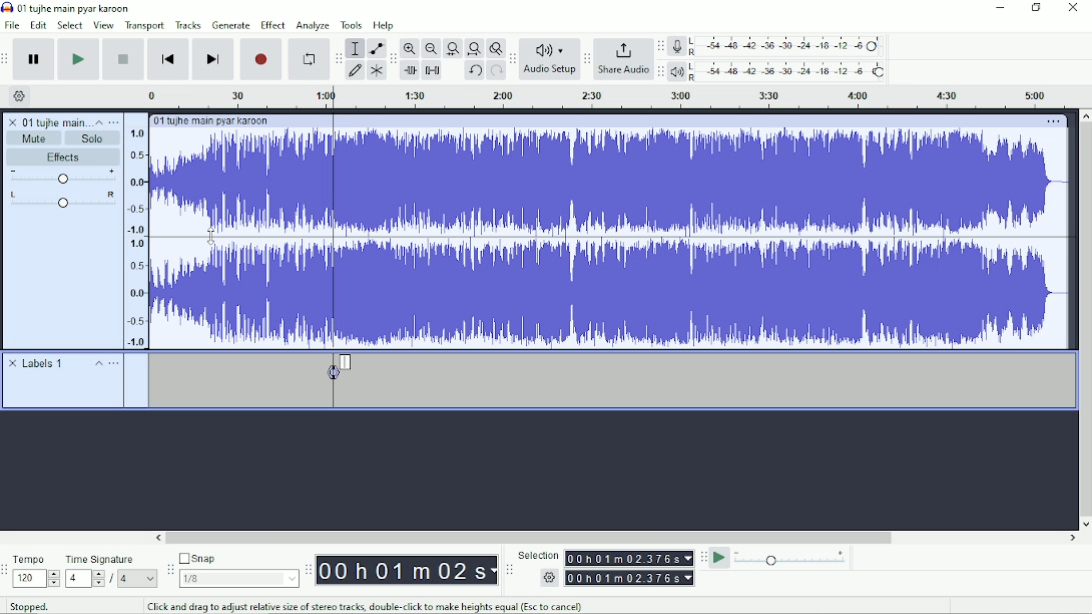 This screenshot has height=614, width=1092. Describe the element at coordinates (7, 58) in the screenshot. I see `Audacity transport toolbar` at that location.